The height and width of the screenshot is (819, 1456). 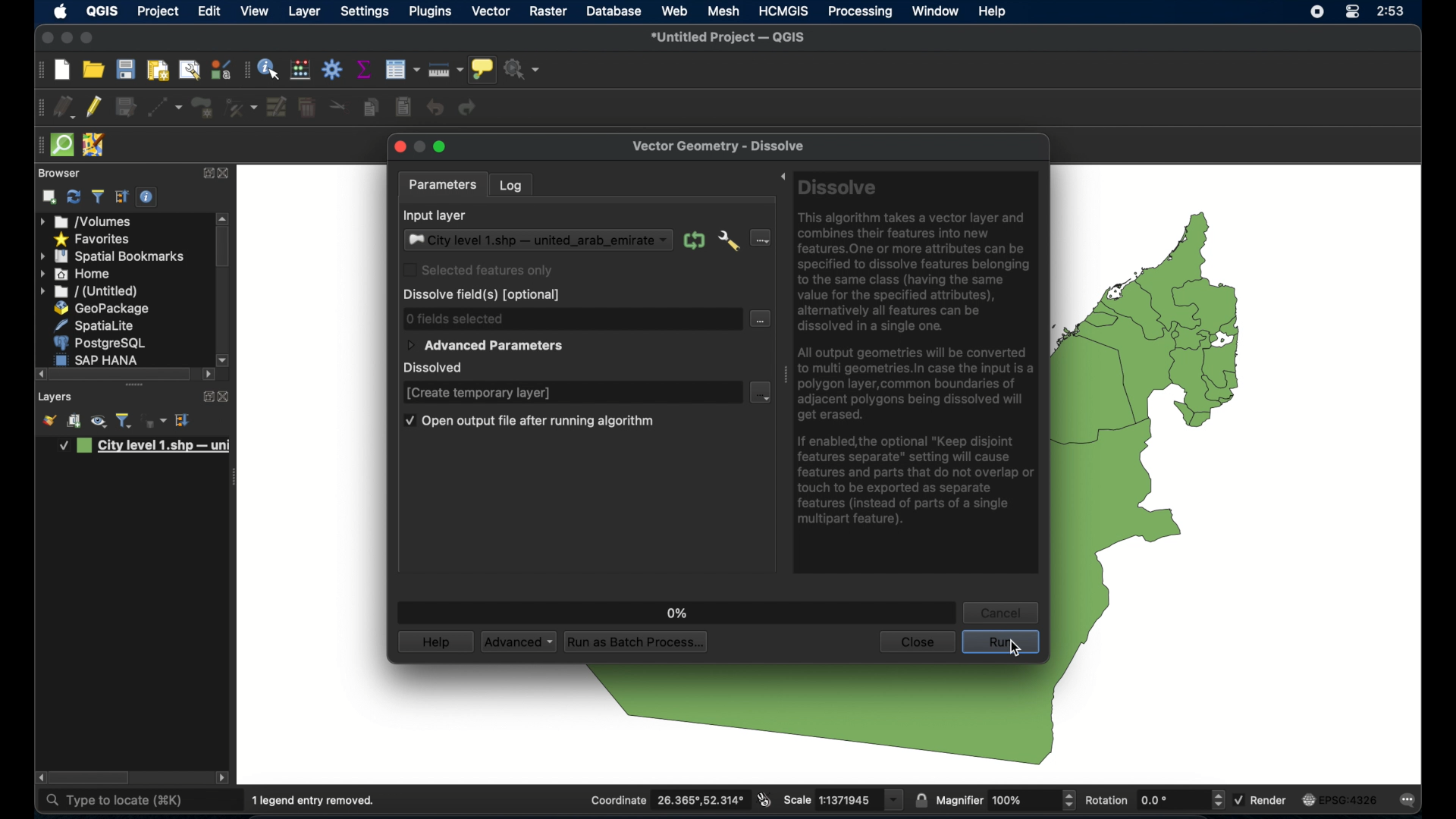 What do you see at coordinates (102, 308) in the screenshot?
I see `geopackage` at bounding box center [102, 308].